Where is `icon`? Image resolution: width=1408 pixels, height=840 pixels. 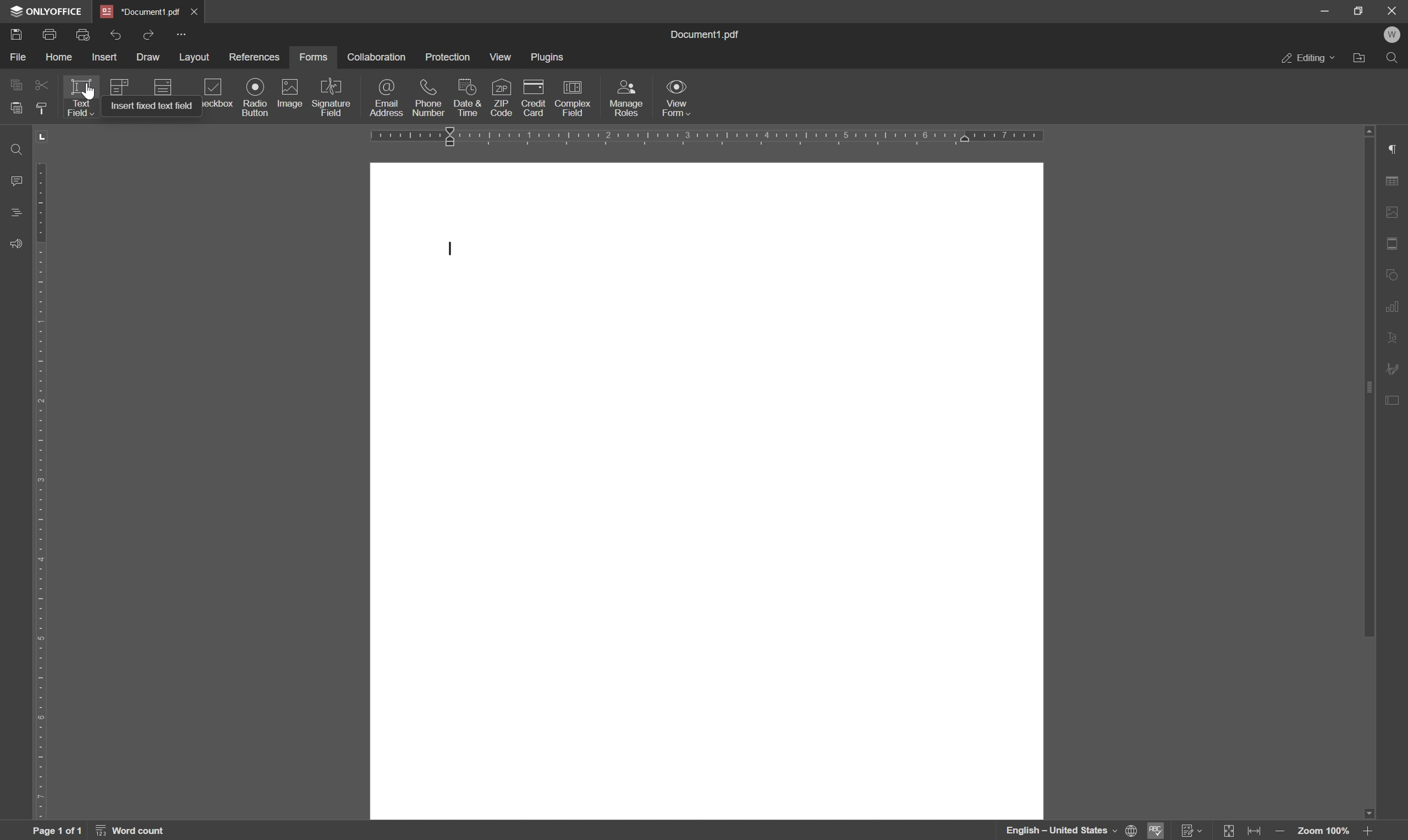
icon is located at coordinates (121, 86).